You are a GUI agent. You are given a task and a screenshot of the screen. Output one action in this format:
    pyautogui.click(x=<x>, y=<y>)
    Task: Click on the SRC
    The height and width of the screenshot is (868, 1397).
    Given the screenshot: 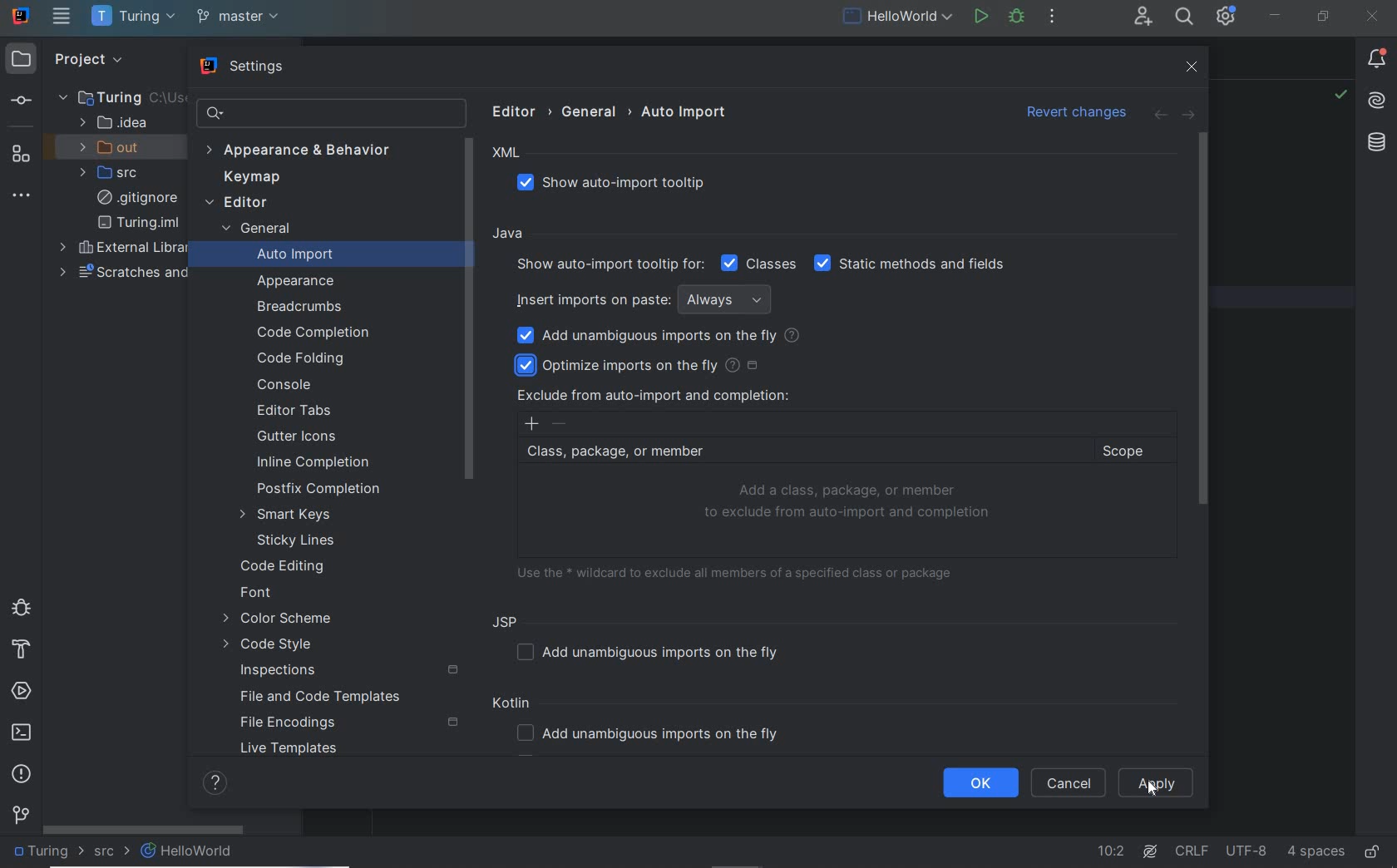 What is the action you would take?
    pyautogui.click(x=112, y=852)
    